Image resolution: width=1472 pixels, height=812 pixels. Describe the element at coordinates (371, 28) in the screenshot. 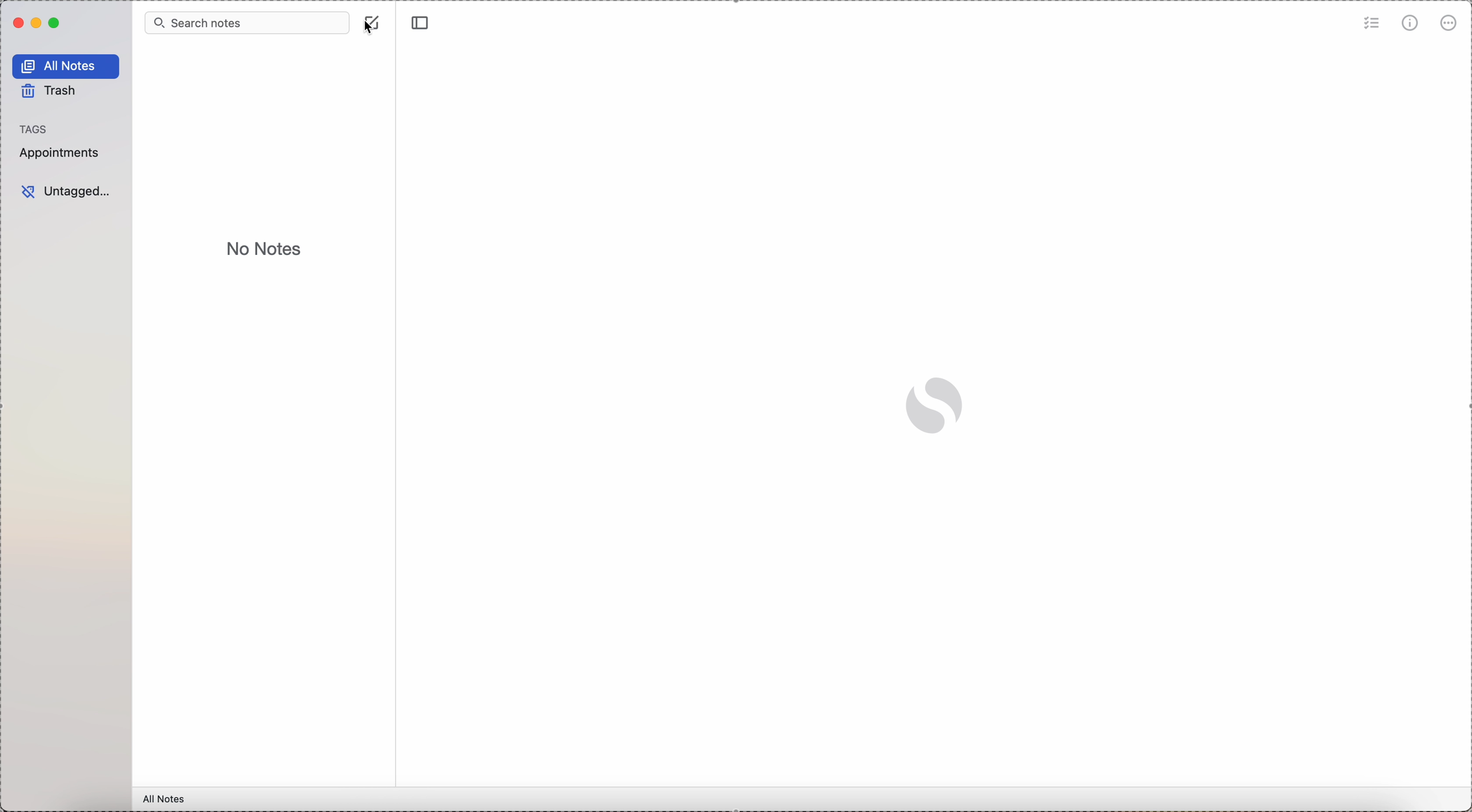

I see `cursor` at that location.